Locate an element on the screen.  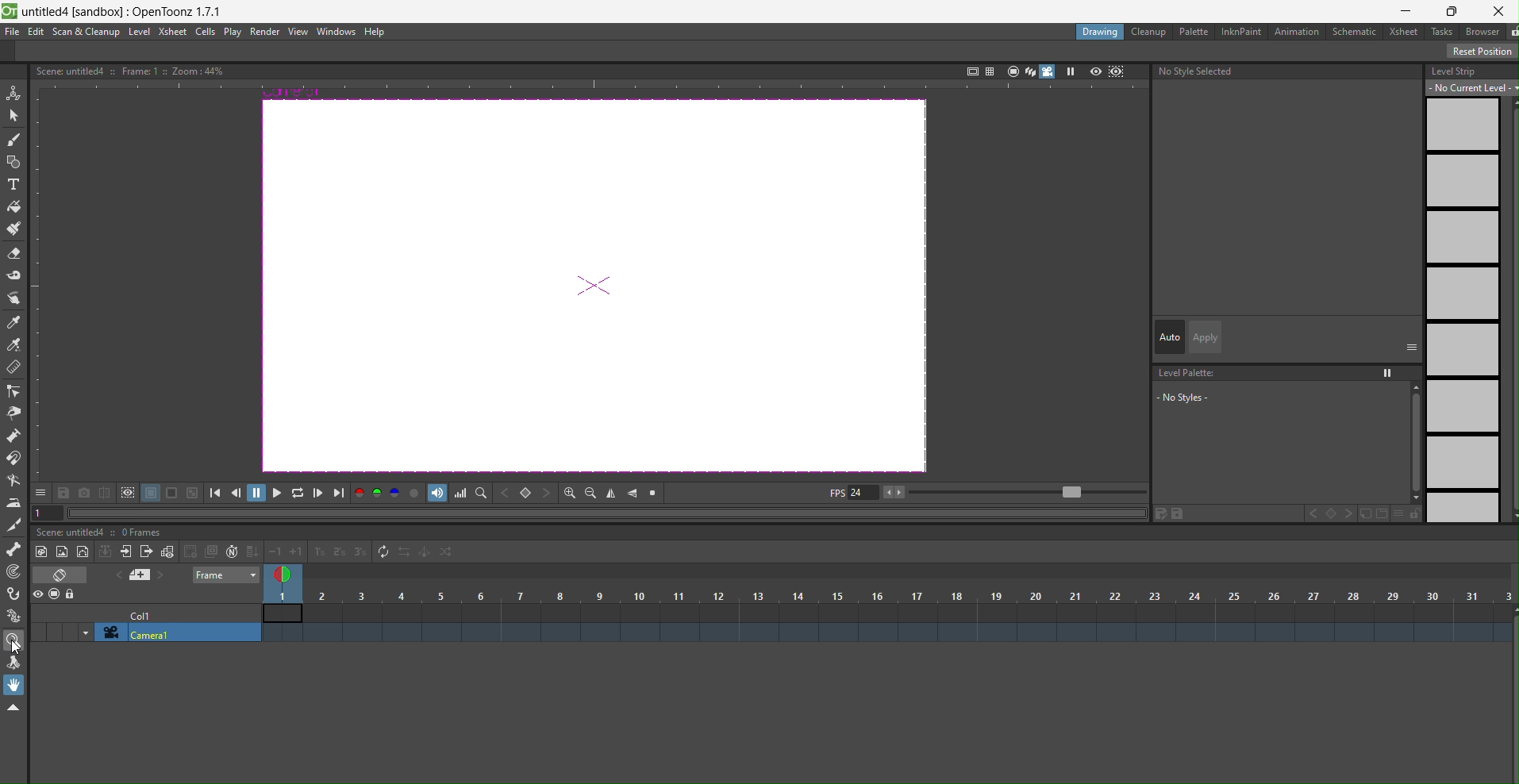
 is located at coordinates (14, 322).